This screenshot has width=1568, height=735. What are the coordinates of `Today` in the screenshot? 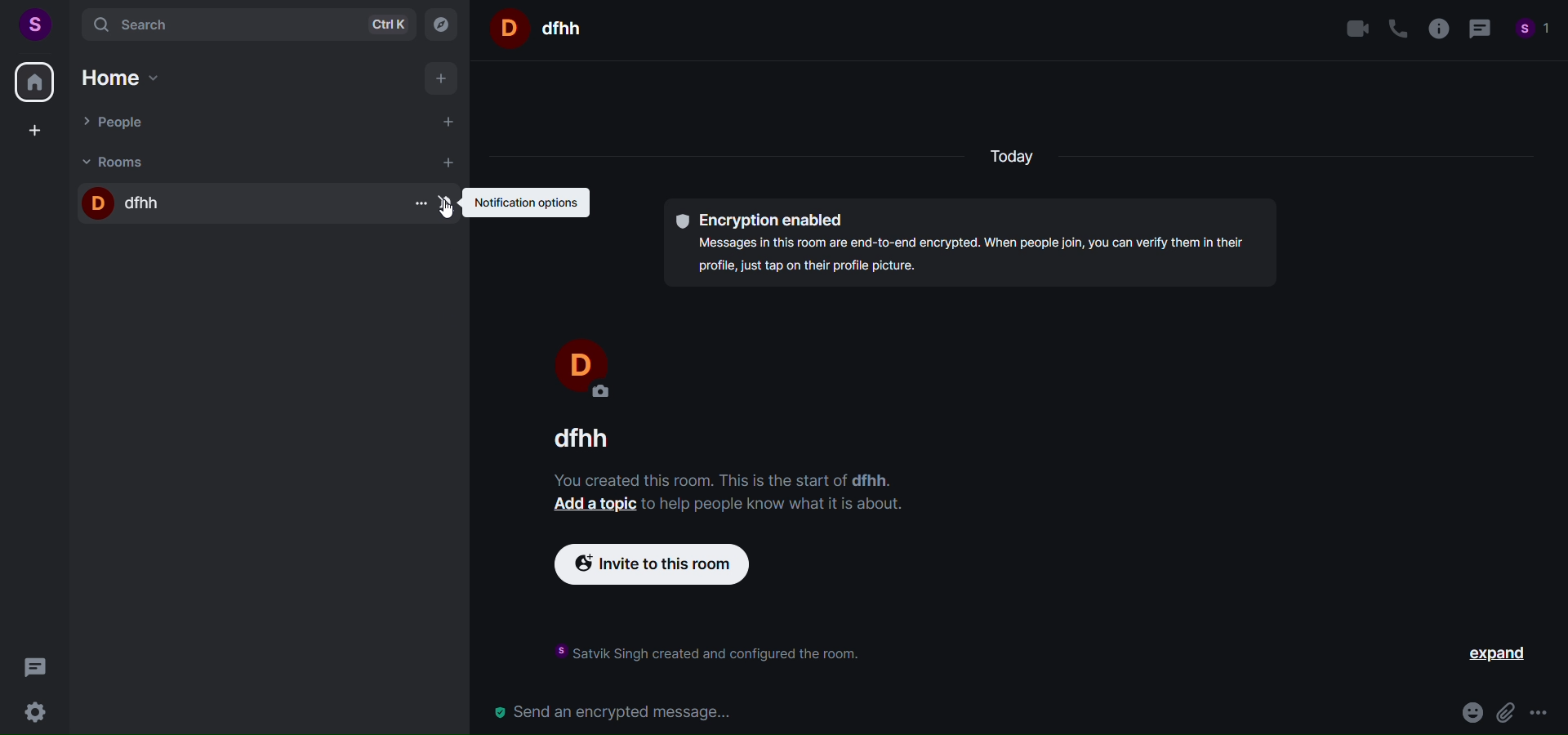 It's located at (1018, 159).